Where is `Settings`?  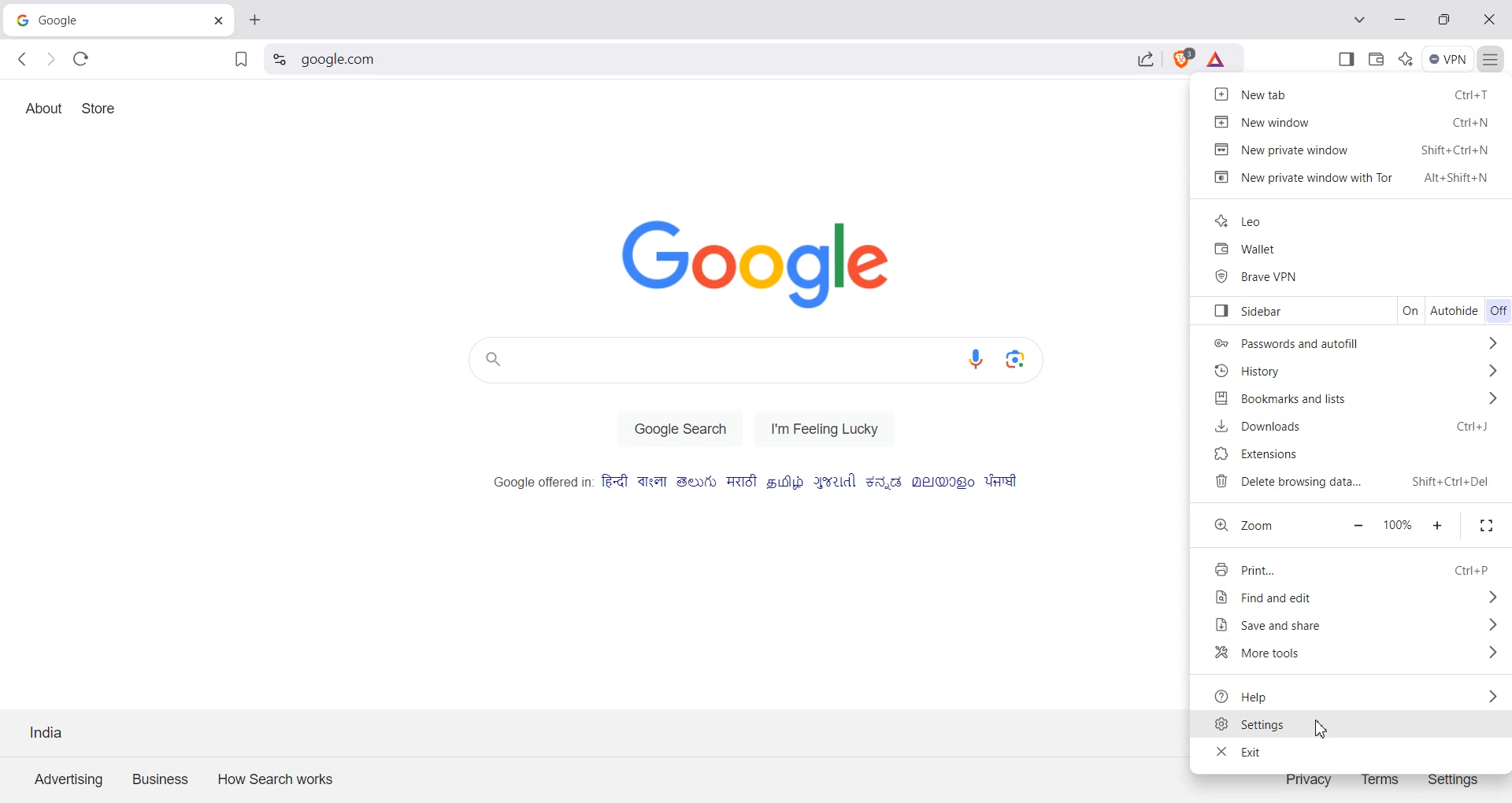 Settings is located at coordinates (1454, 778).